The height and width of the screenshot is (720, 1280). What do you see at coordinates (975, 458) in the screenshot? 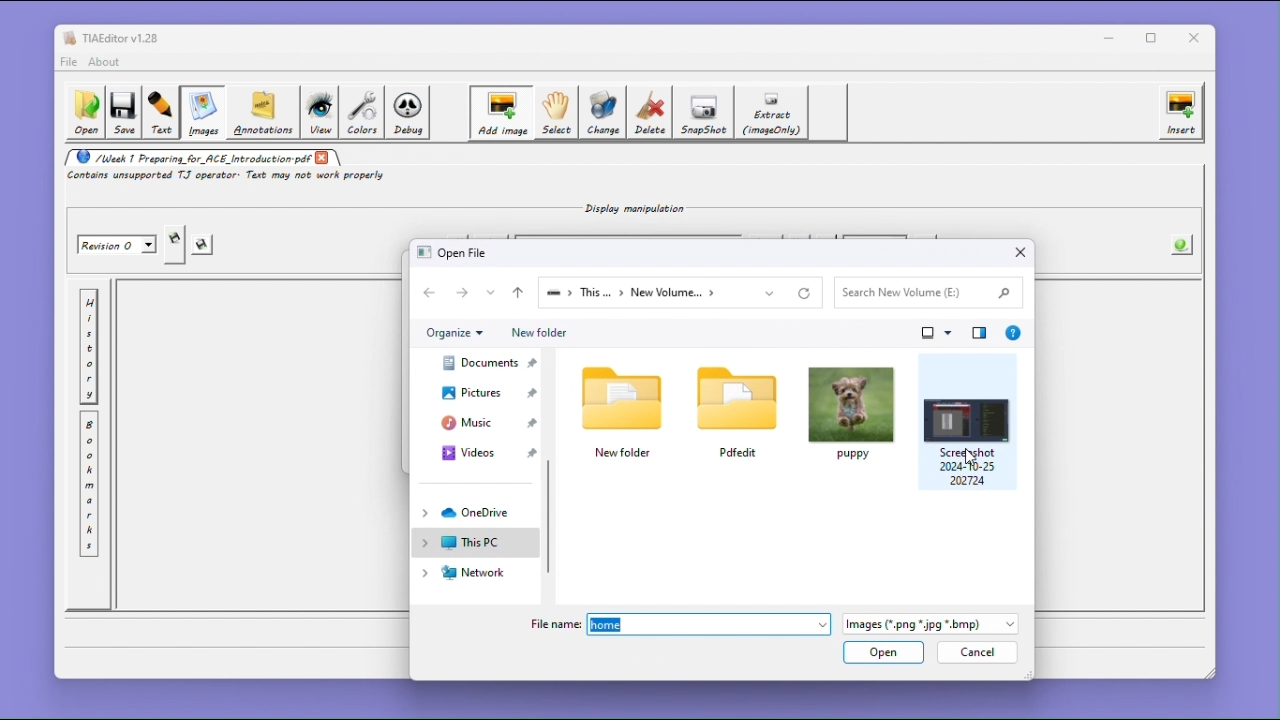
I see `cursor` at bounding box center [975, 458].